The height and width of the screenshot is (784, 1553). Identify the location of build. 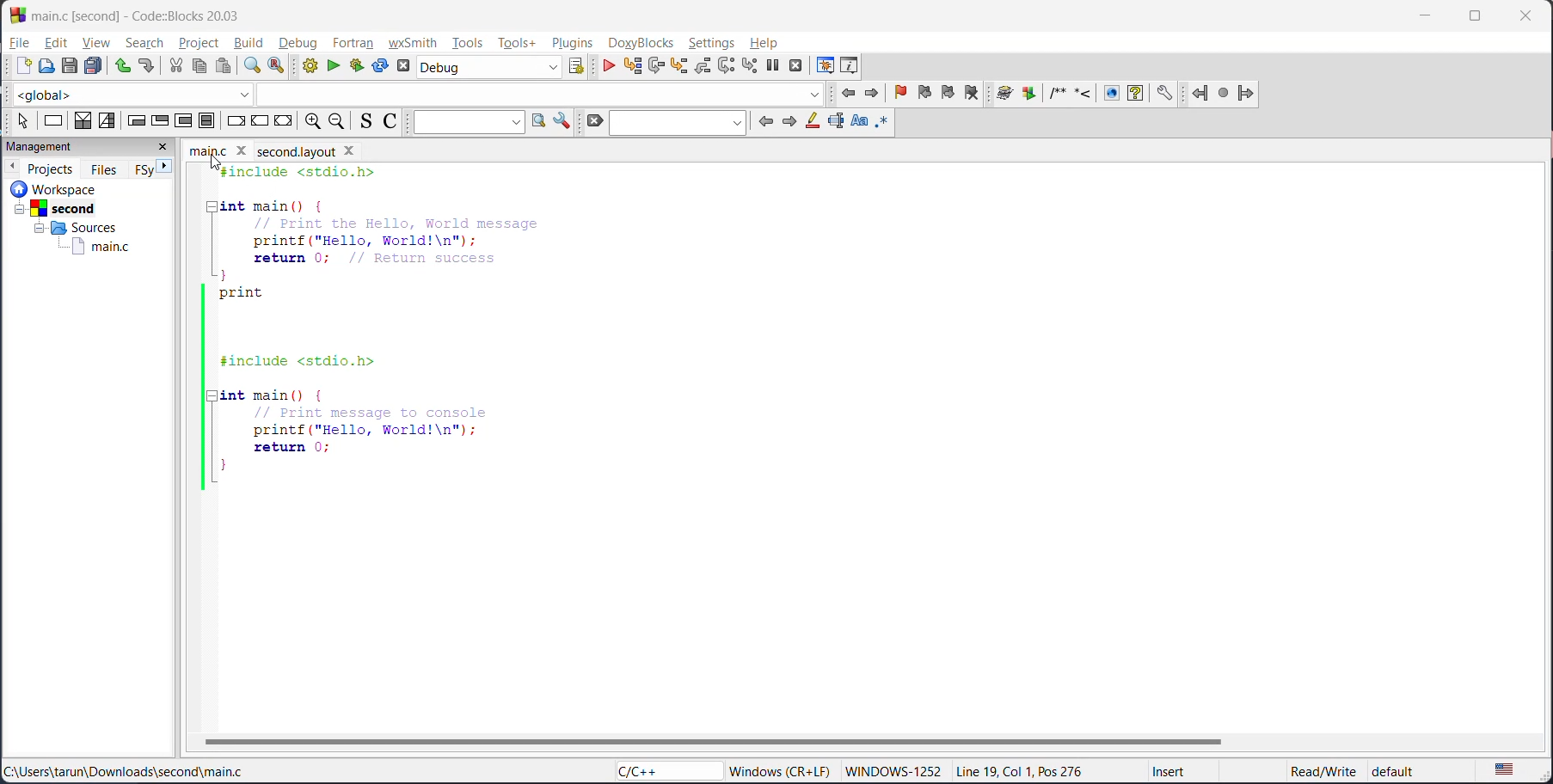
(305, 65).